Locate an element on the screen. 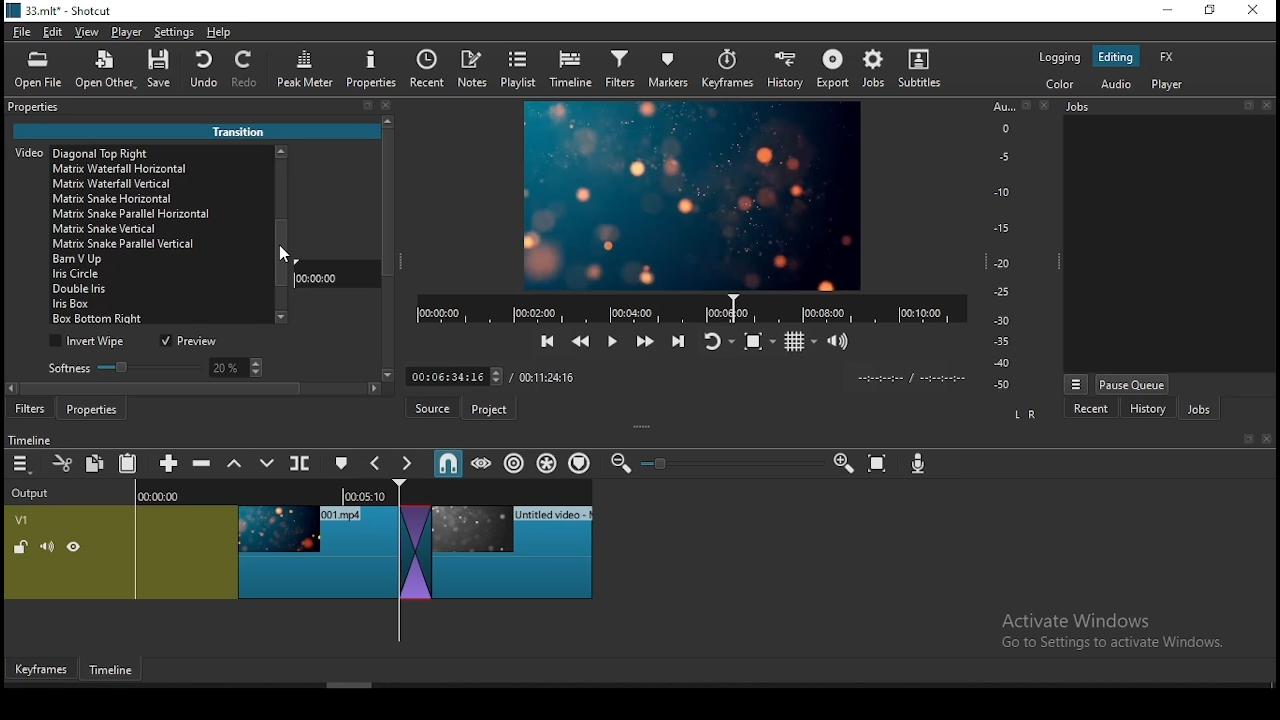 The width and height of the screenshot is (1280, 720). properties is located at coordinates (40, 106).